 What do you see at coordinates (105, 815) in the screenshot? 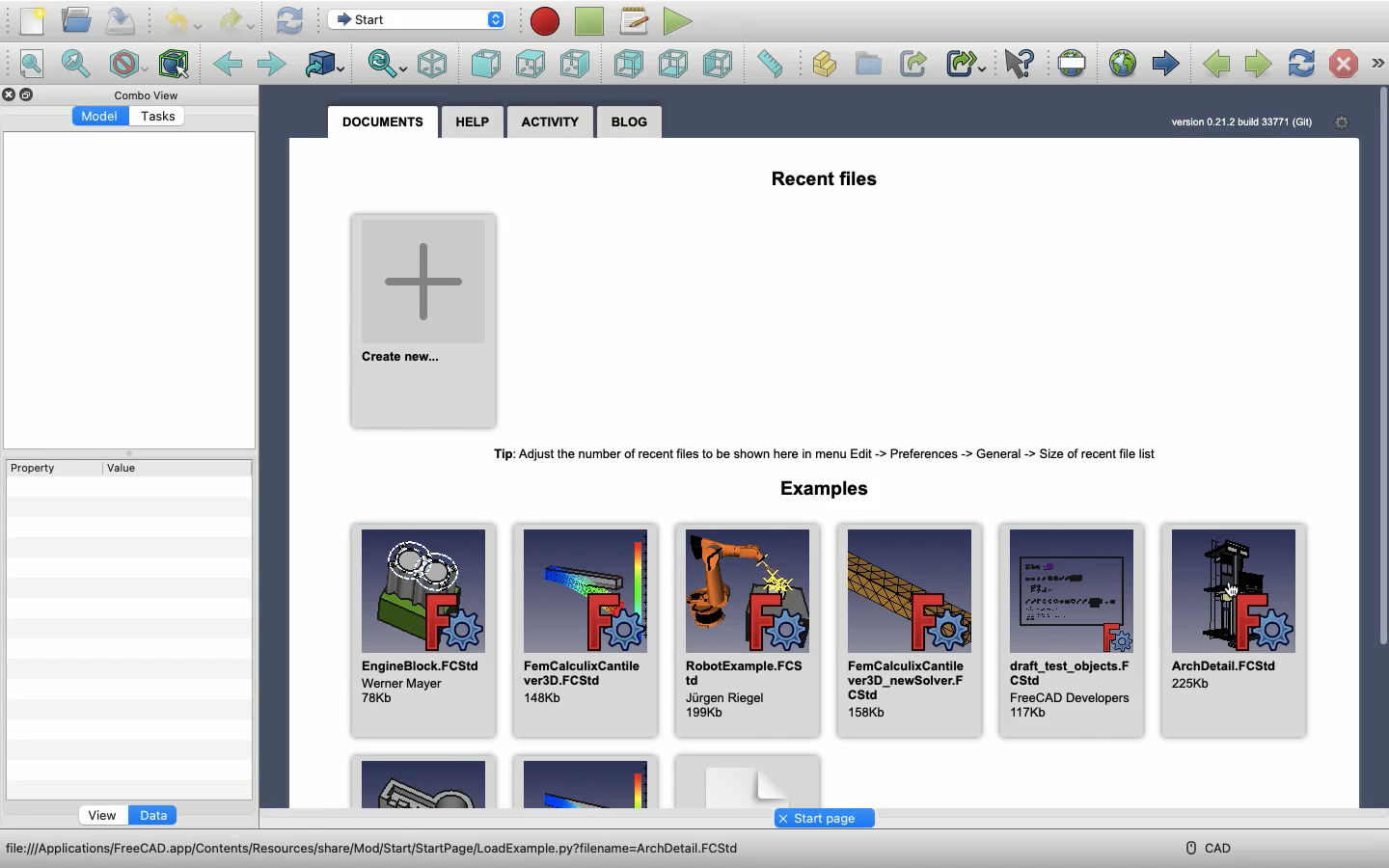
I see `View` at bounding box center [105, 815].